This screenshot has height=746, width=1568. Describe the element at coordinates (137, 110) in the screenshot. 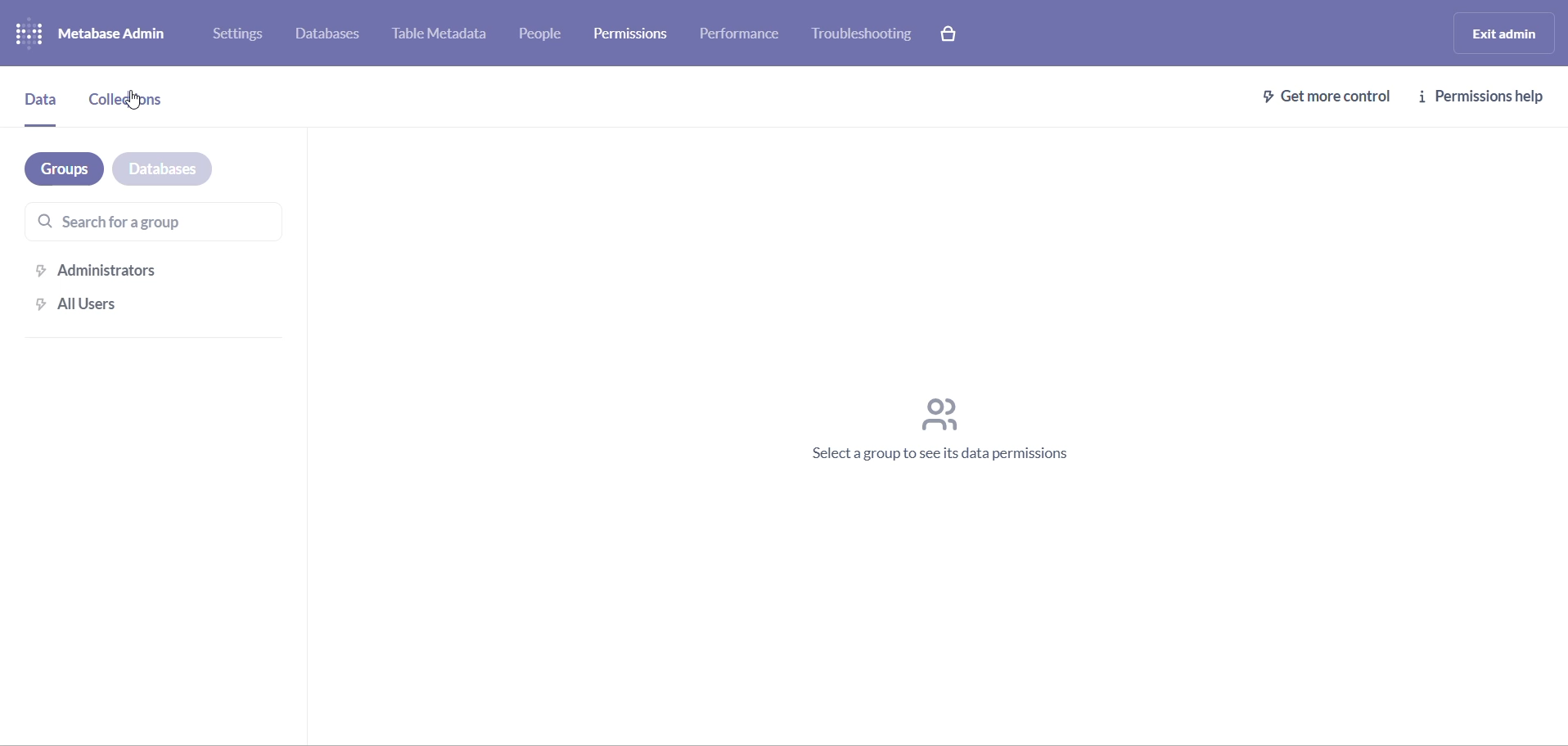

I see `collection` at that location.